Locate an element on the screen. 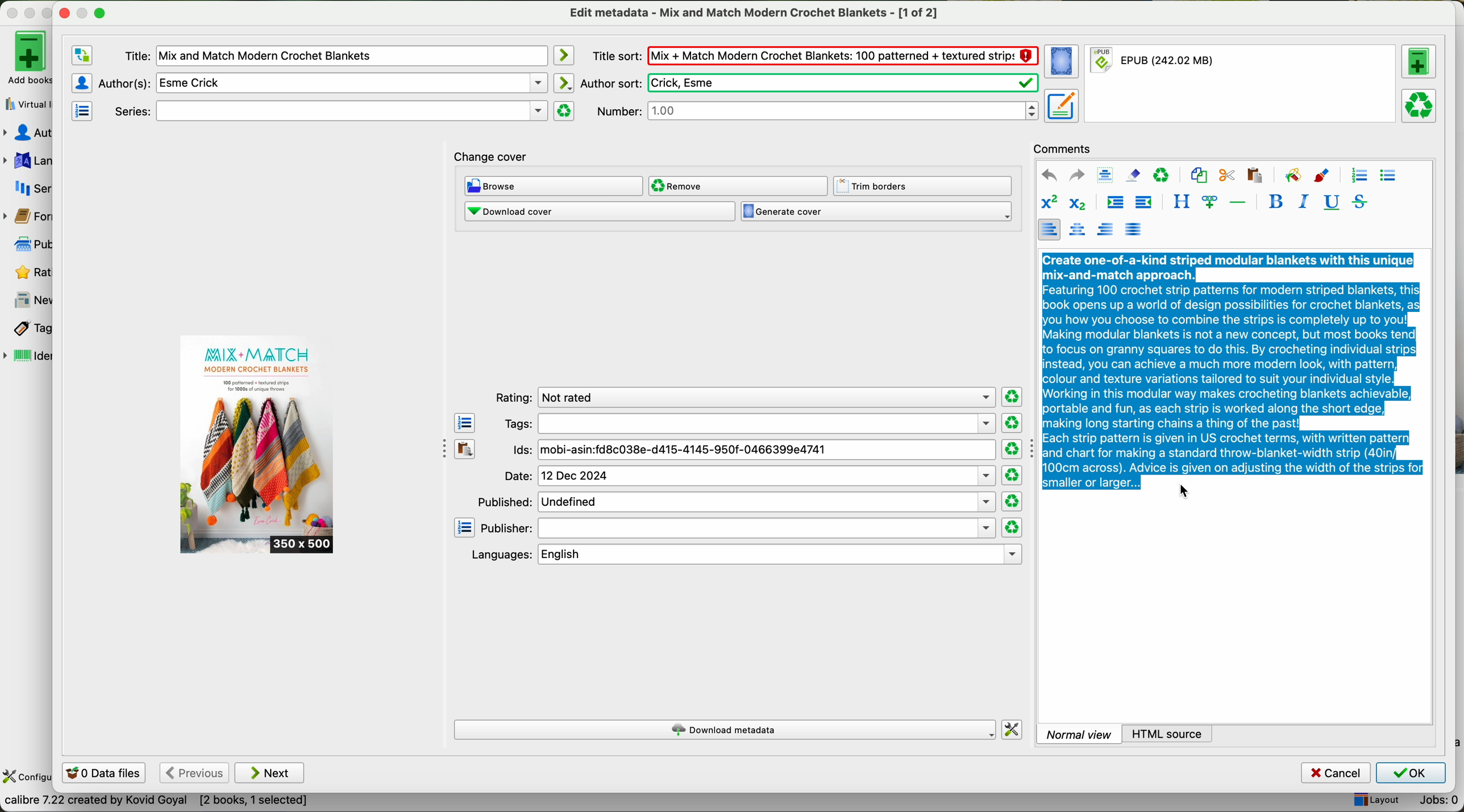 Image resolution: width=1464 pixels, height=812 pixels. set the cover for the book is located at coordinates (1063, 62).